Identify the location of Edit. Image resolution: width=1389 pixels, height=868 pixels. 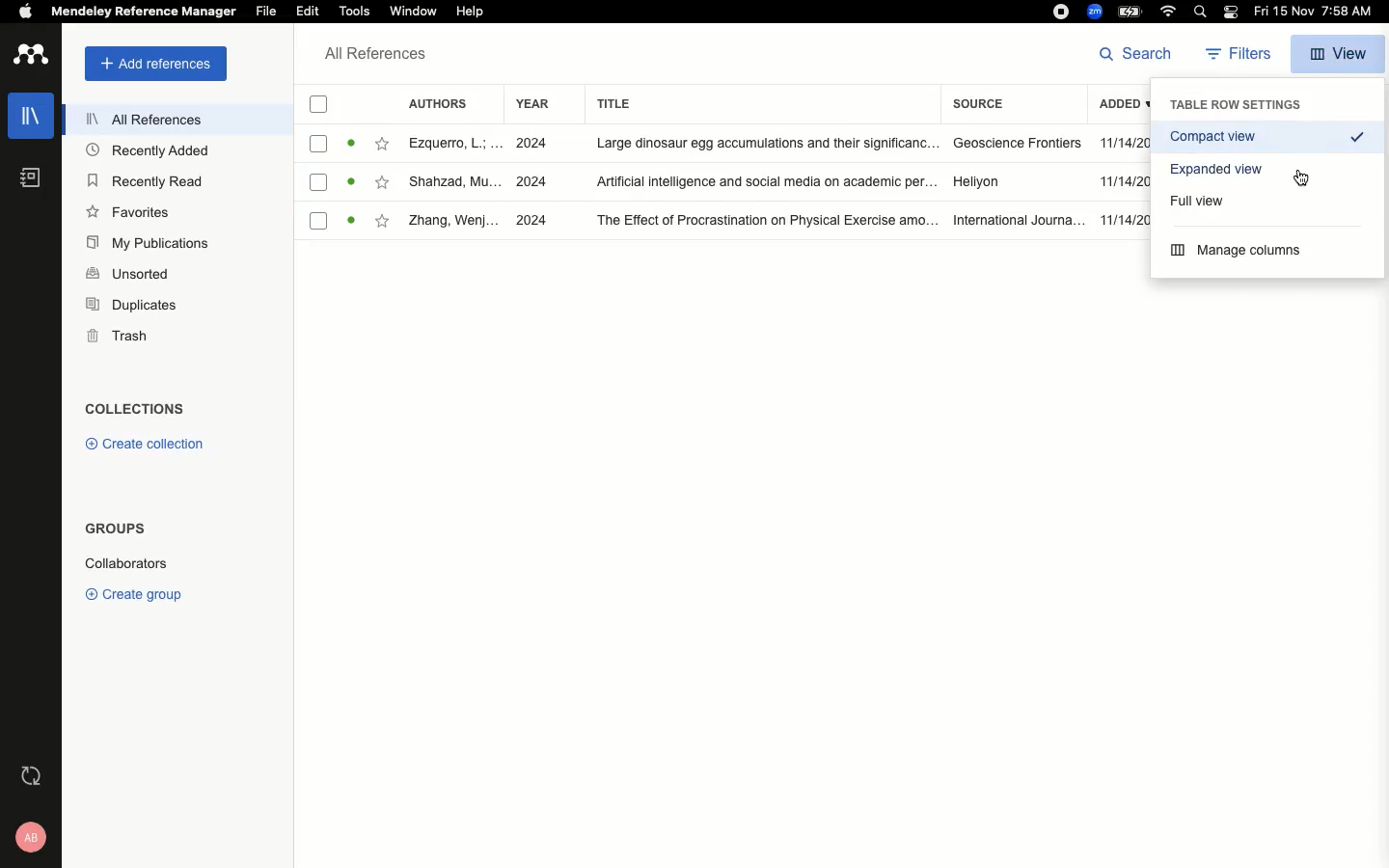
(307, 13).